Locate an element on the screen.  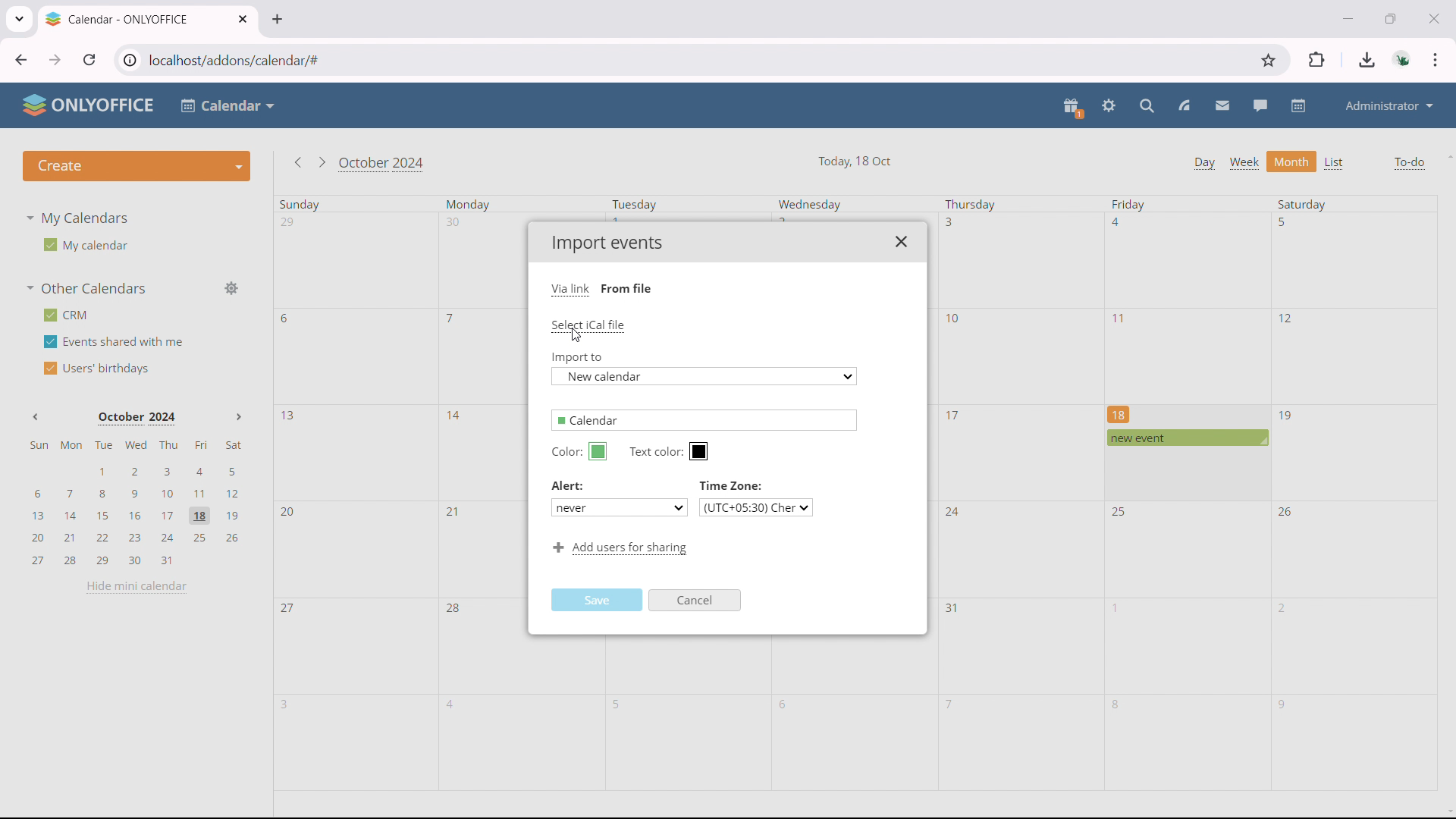
localhost/addons/calendar/# is located at coordinates (247, 60).